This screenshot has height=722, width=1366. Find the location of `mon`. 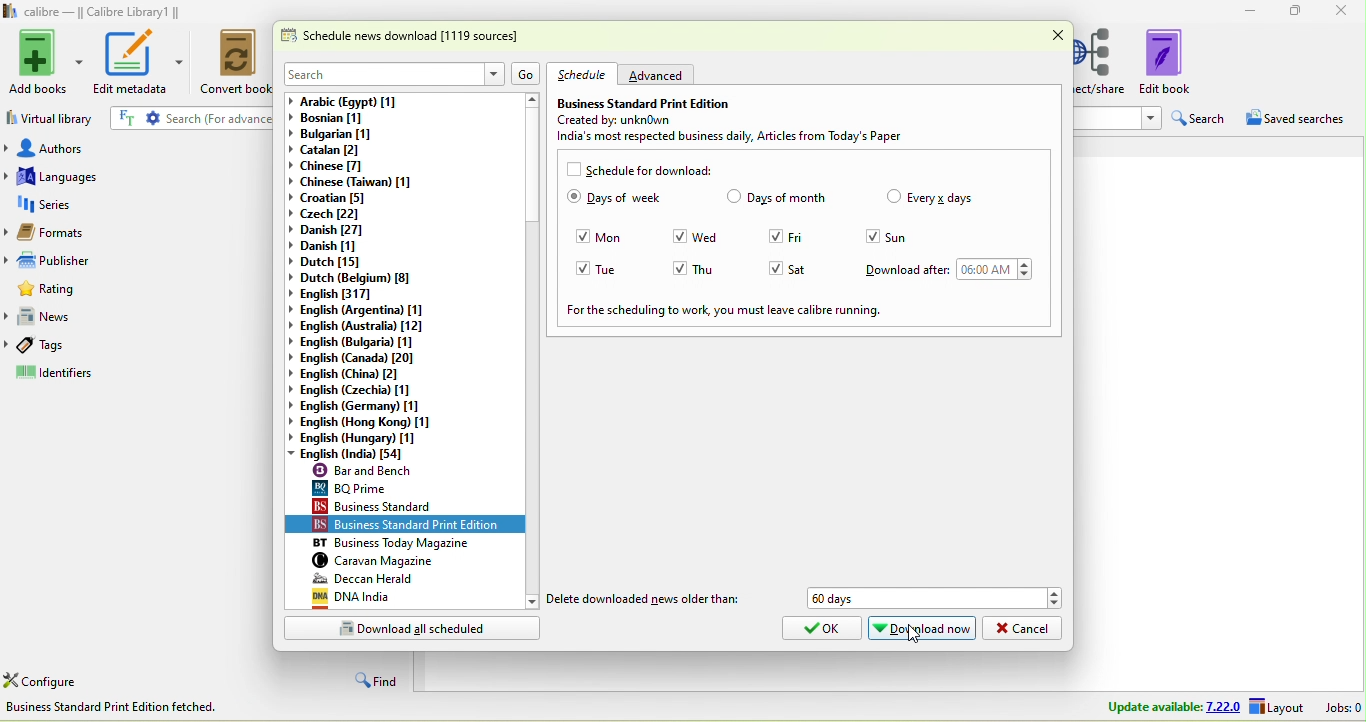

mon is located at coordinates (617, 238).